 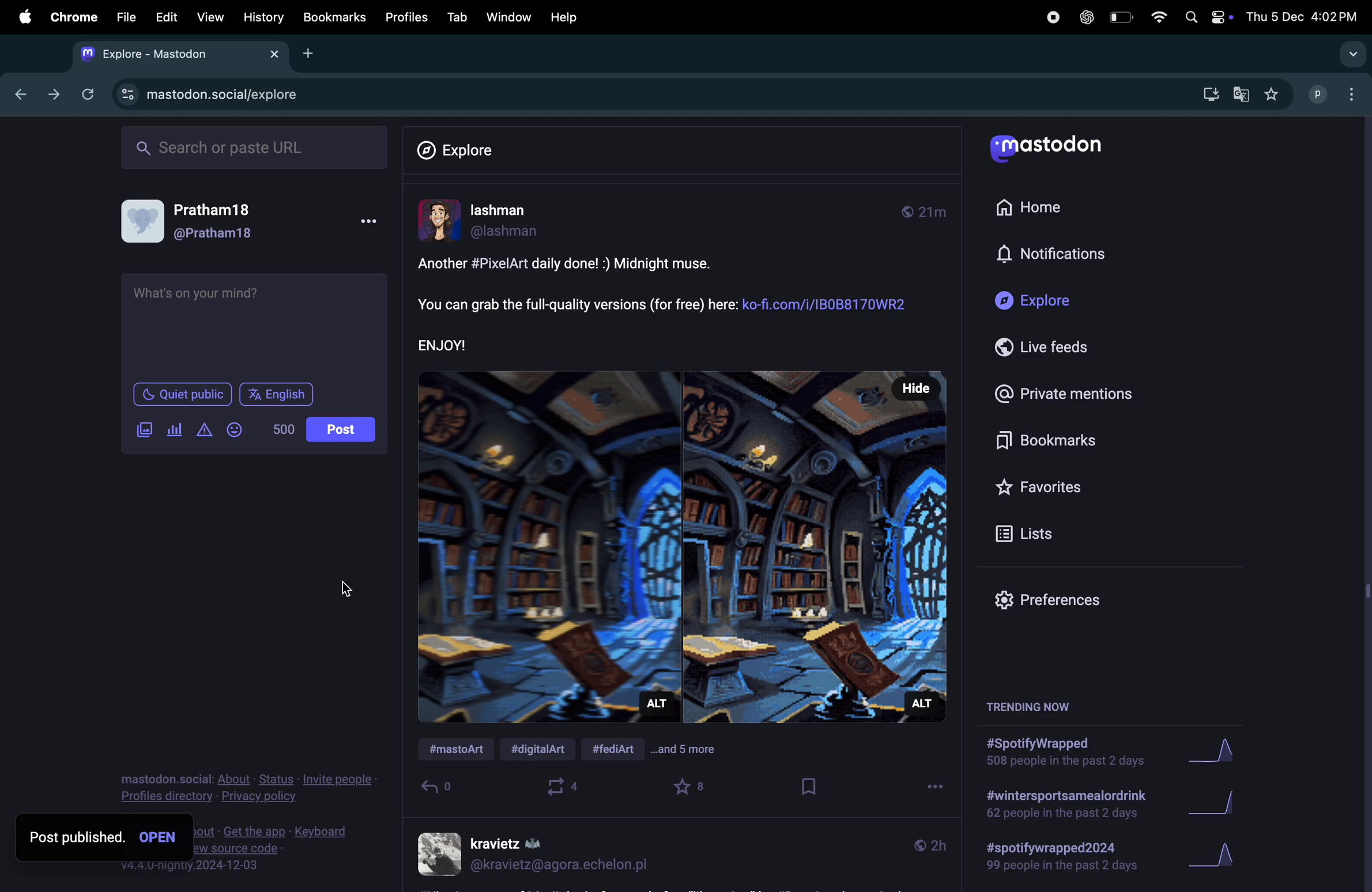 What do you see at coordinates (250, 788) in the screenshot?
I see `privacy policy` at bounding box center [250, 788].